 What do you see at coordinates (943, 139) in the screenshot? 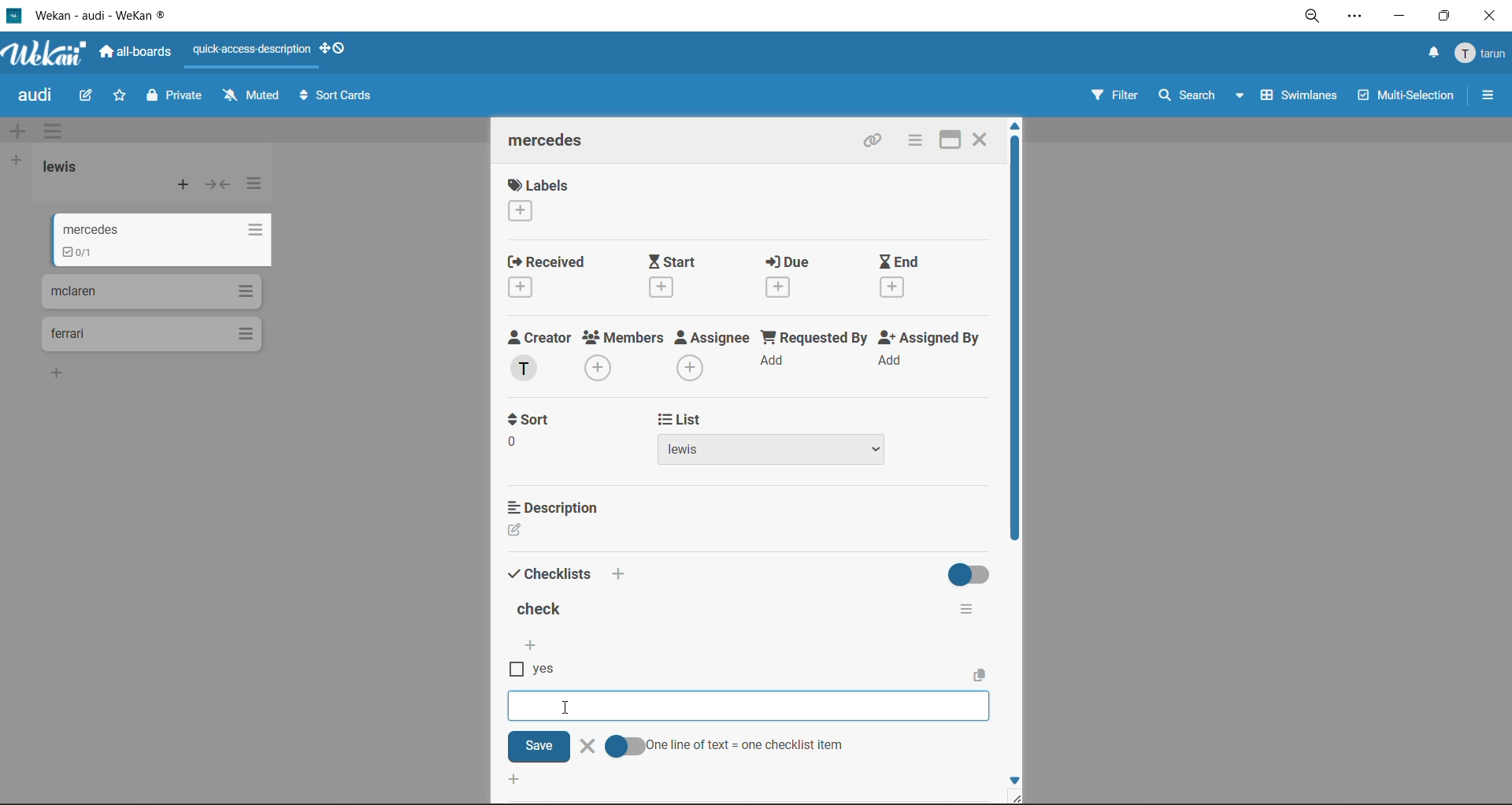
I see `maximize` at bounding box center [943, 139].